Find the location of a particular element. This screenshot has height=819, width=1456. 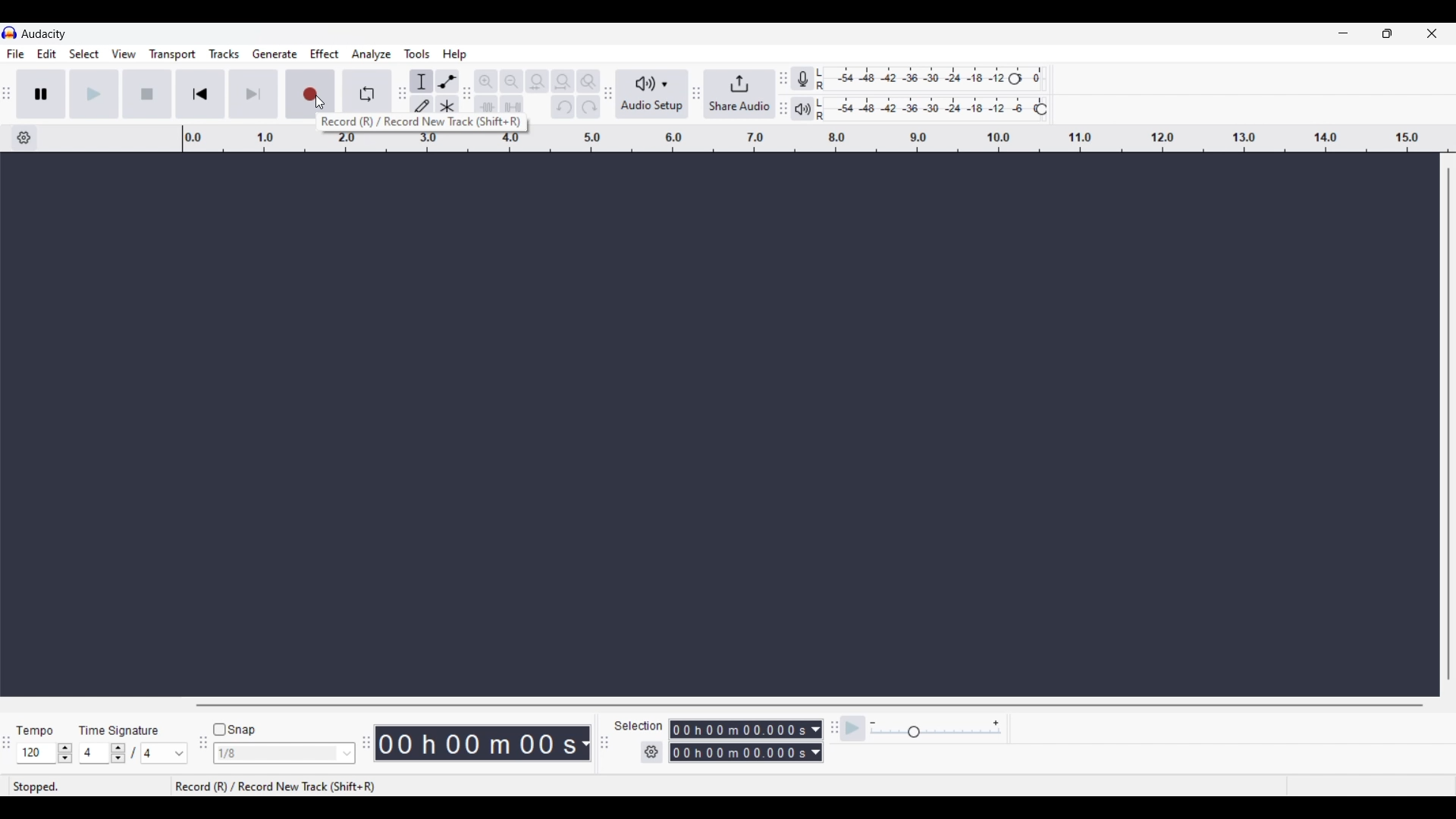

Select menu is located at coordinates (85, 54).